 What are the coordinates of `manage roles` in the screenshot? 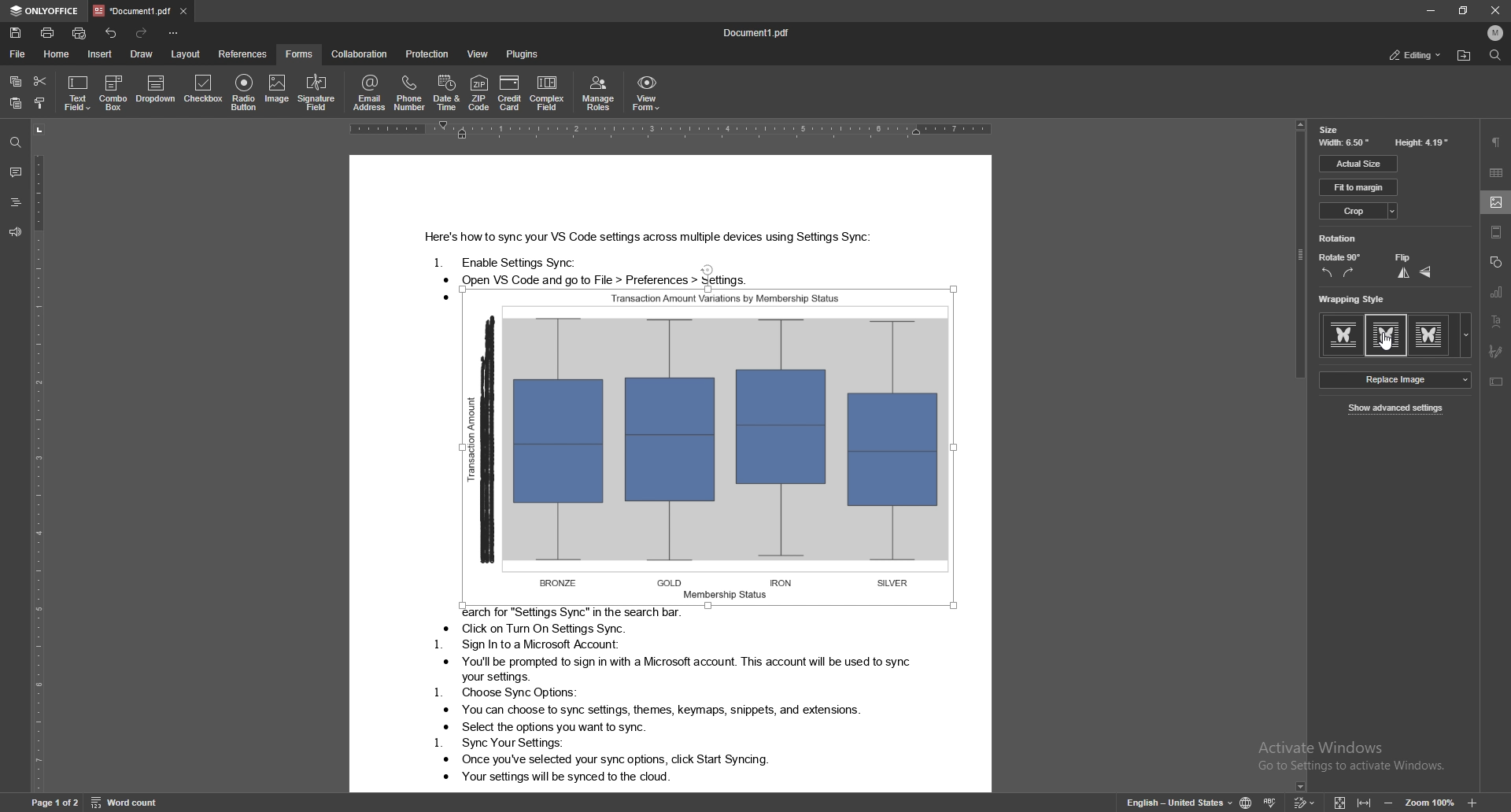 It's located at (600, 92).